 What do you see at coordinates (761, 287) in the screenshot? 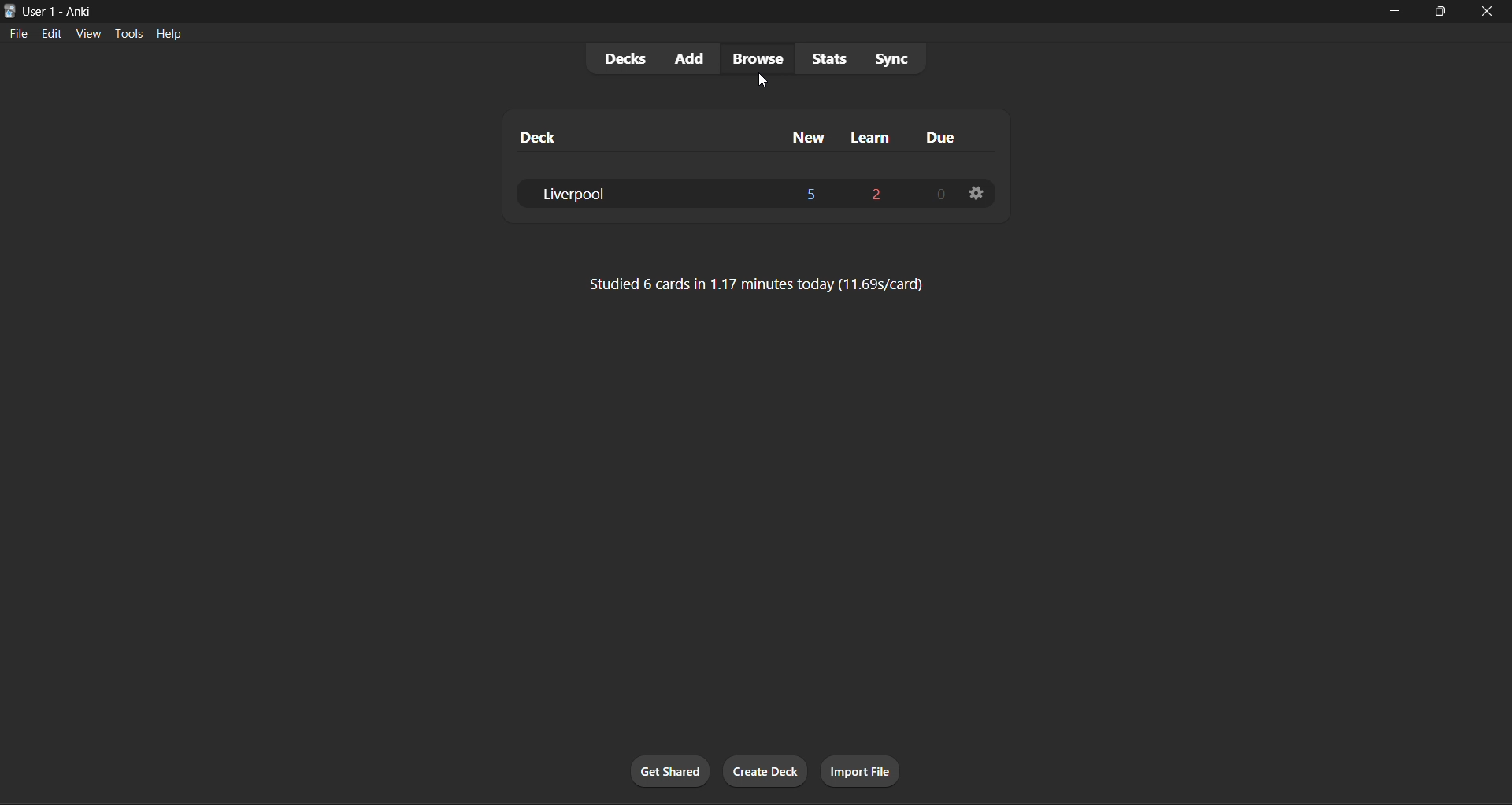
I see `cards stats` at bounding box center [761, 287].